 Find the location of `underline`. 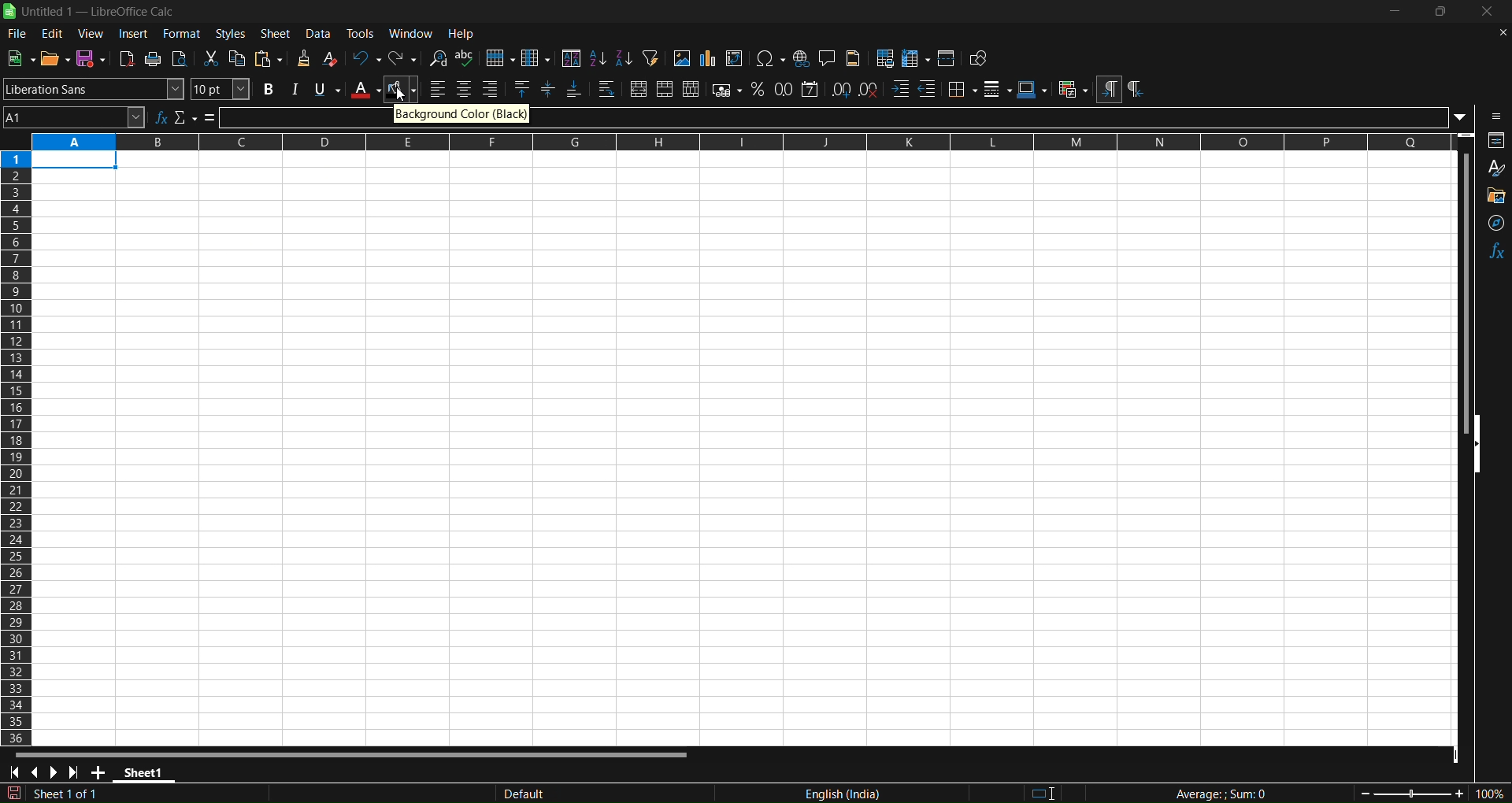

underline is located at coordinates (325, 88).